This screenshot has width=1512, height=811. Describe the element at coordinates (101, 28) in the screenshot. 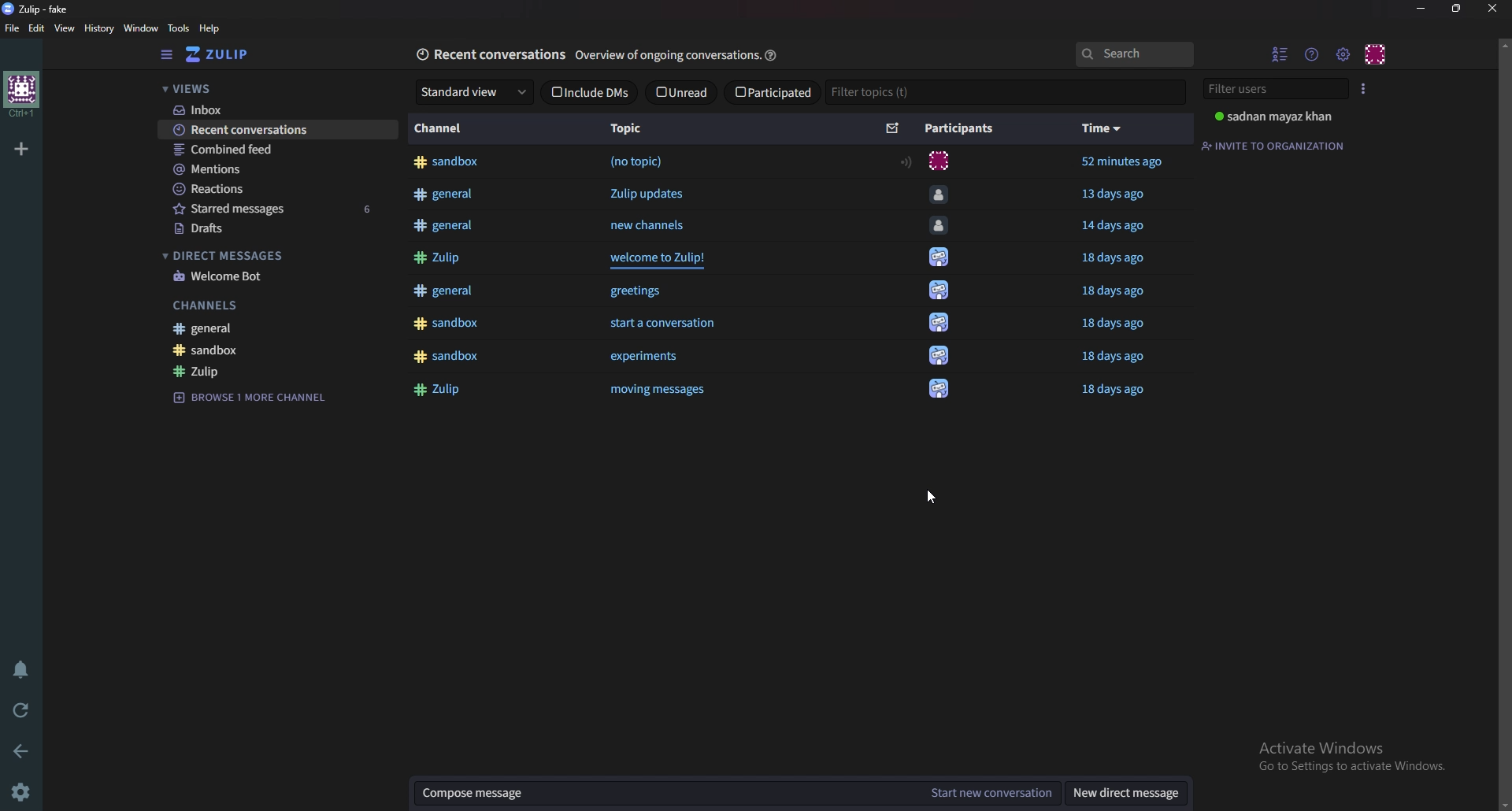

I see `History` at that location.